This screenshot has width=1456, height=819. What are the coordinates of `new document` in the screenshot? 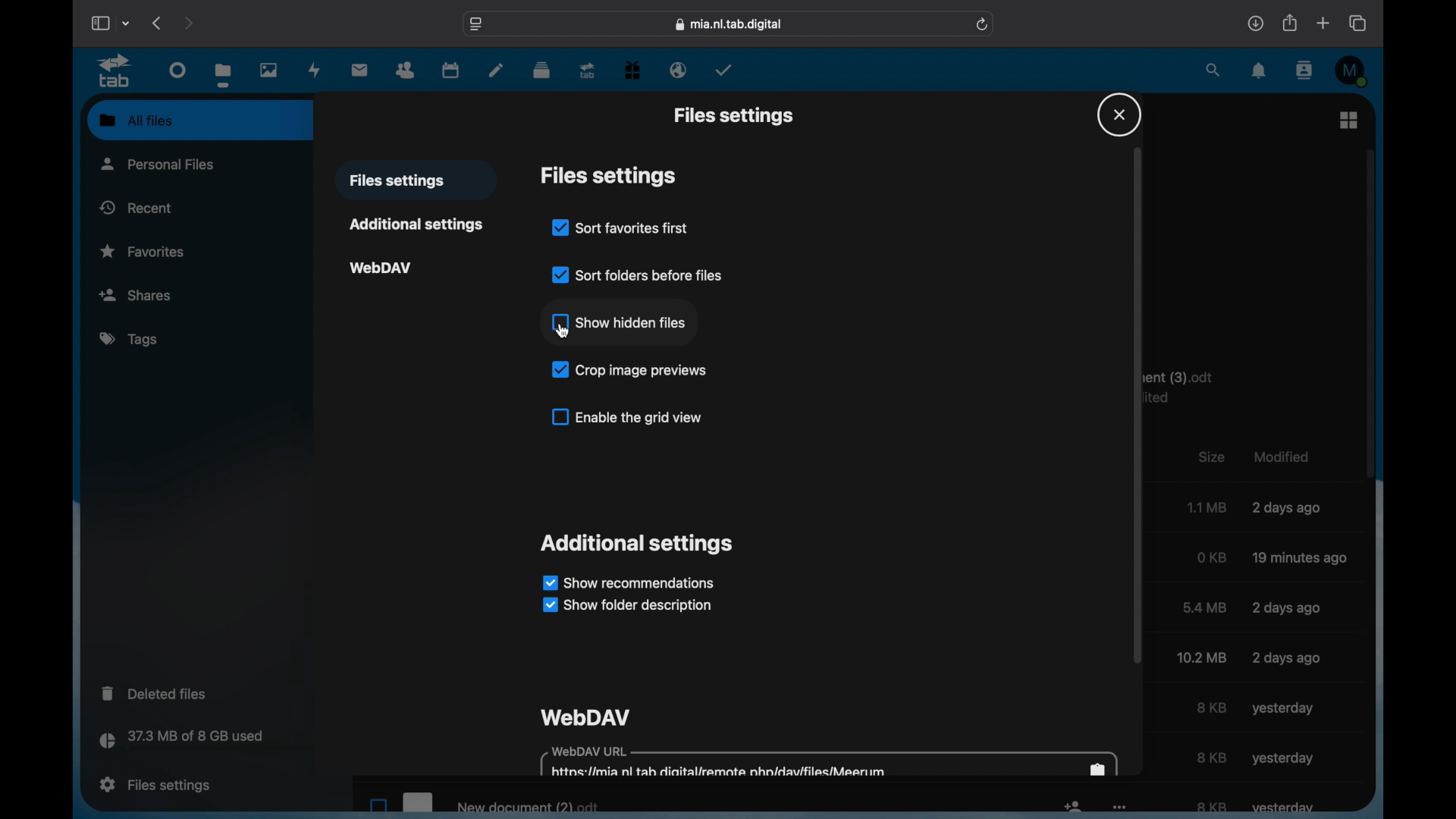 It's located at (499, 804).